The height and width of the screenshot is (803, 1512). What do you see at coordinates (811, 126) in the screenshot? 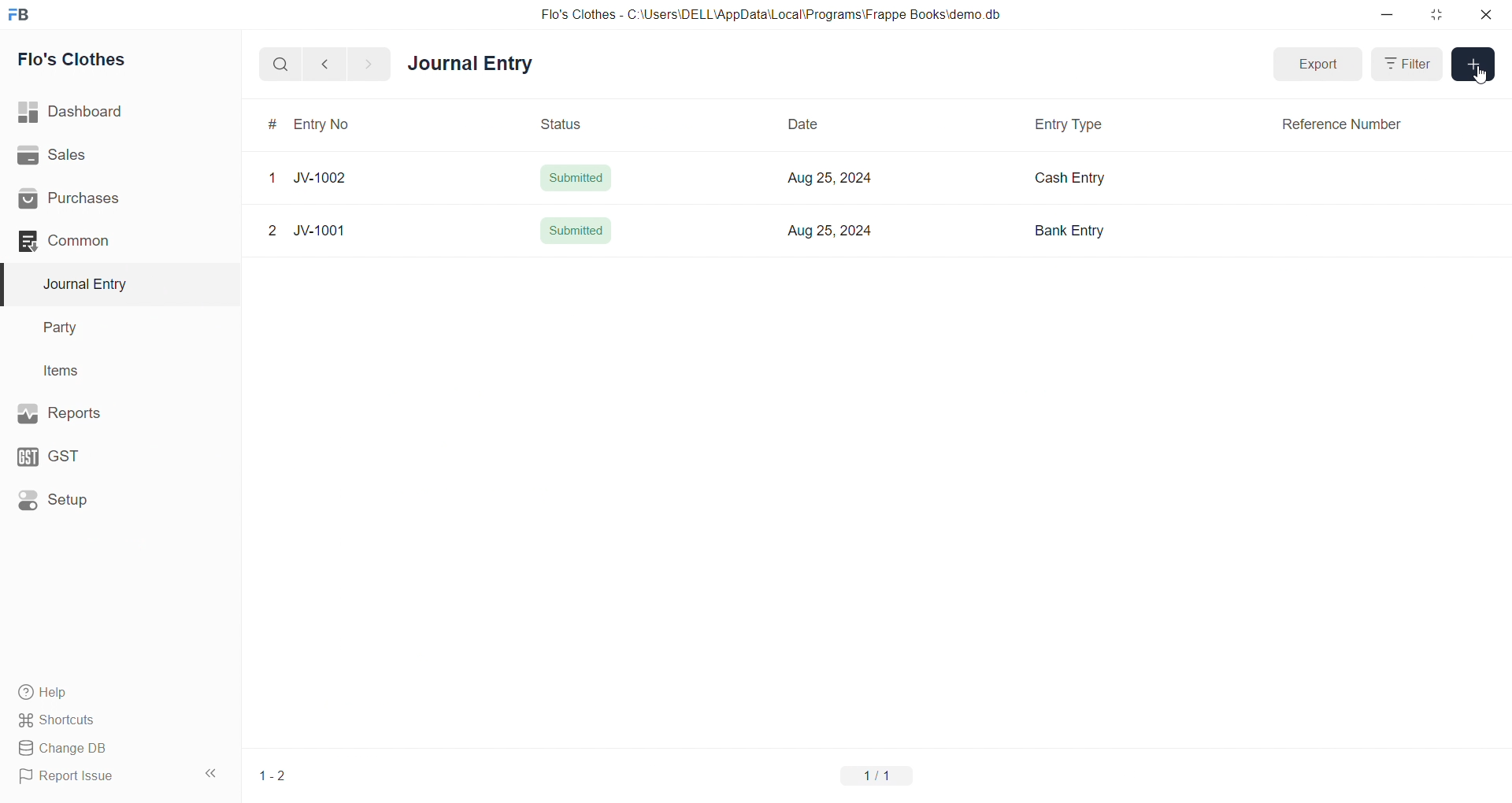
I see `Date` at bounding box center [811, 126].